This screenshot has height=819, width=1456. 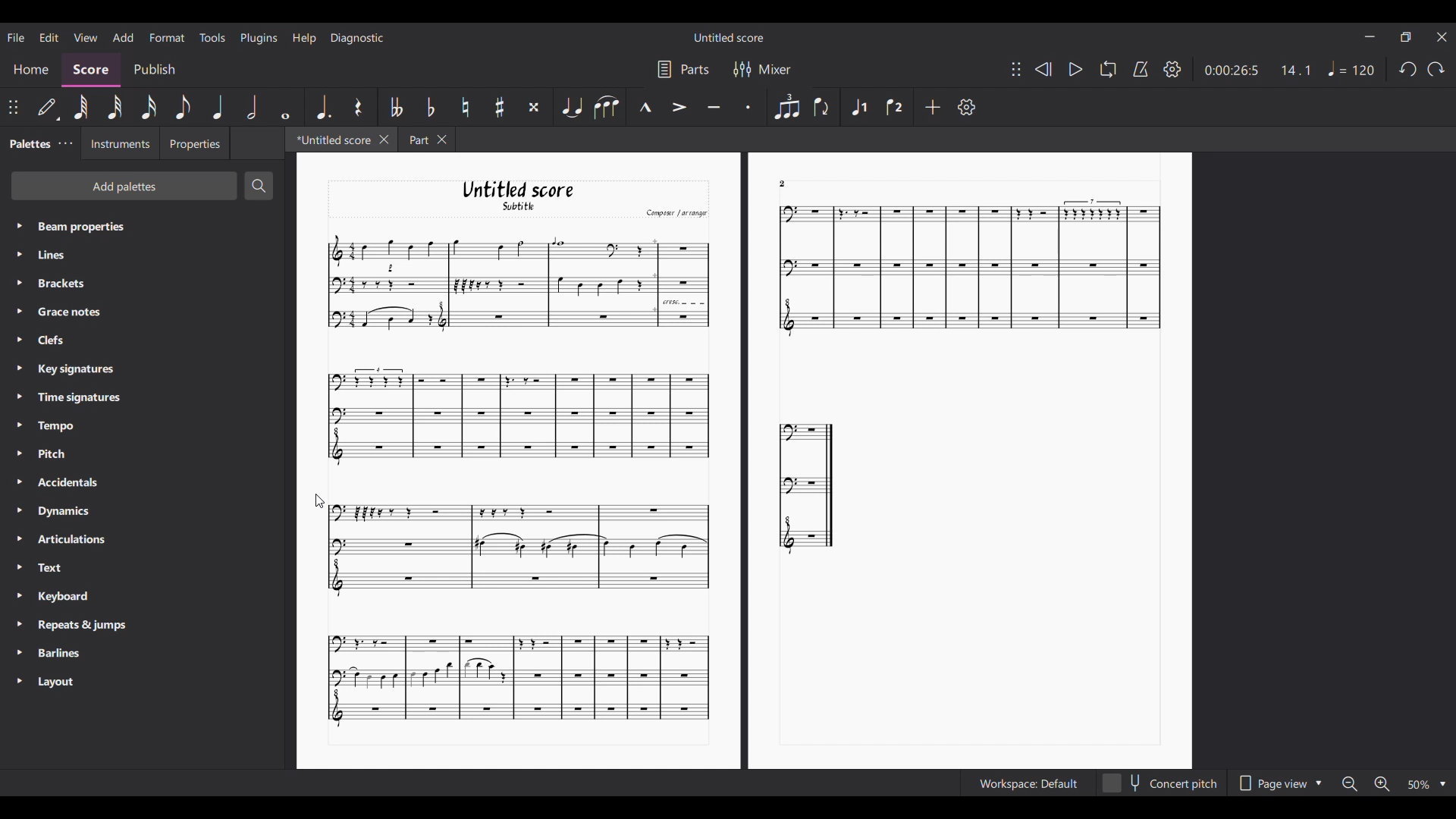 I want to click on Palettes , so click(x=27, y=142).